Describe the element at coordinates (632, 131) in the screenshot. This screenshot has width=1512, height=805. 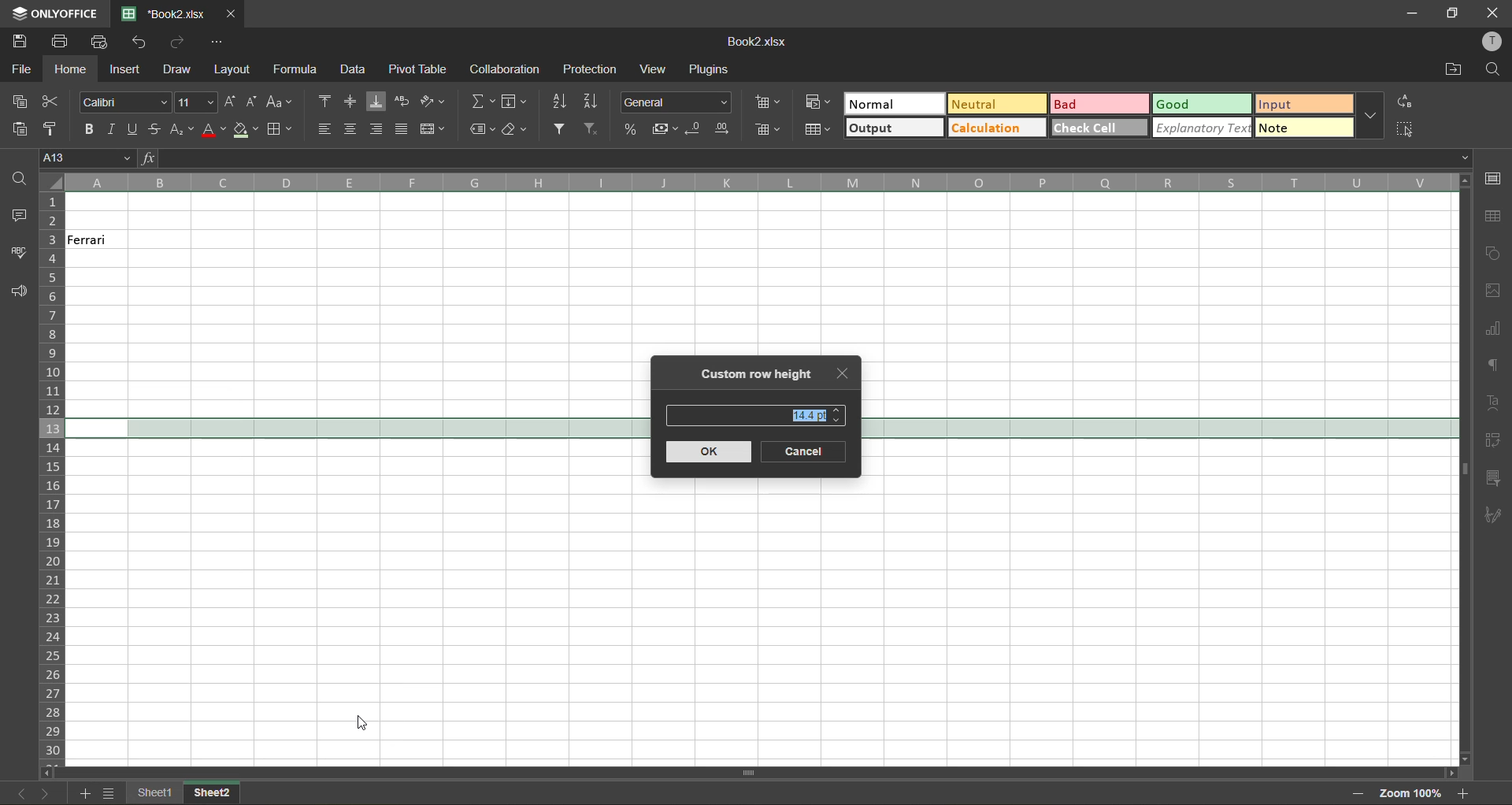
I see `percent` at that location.